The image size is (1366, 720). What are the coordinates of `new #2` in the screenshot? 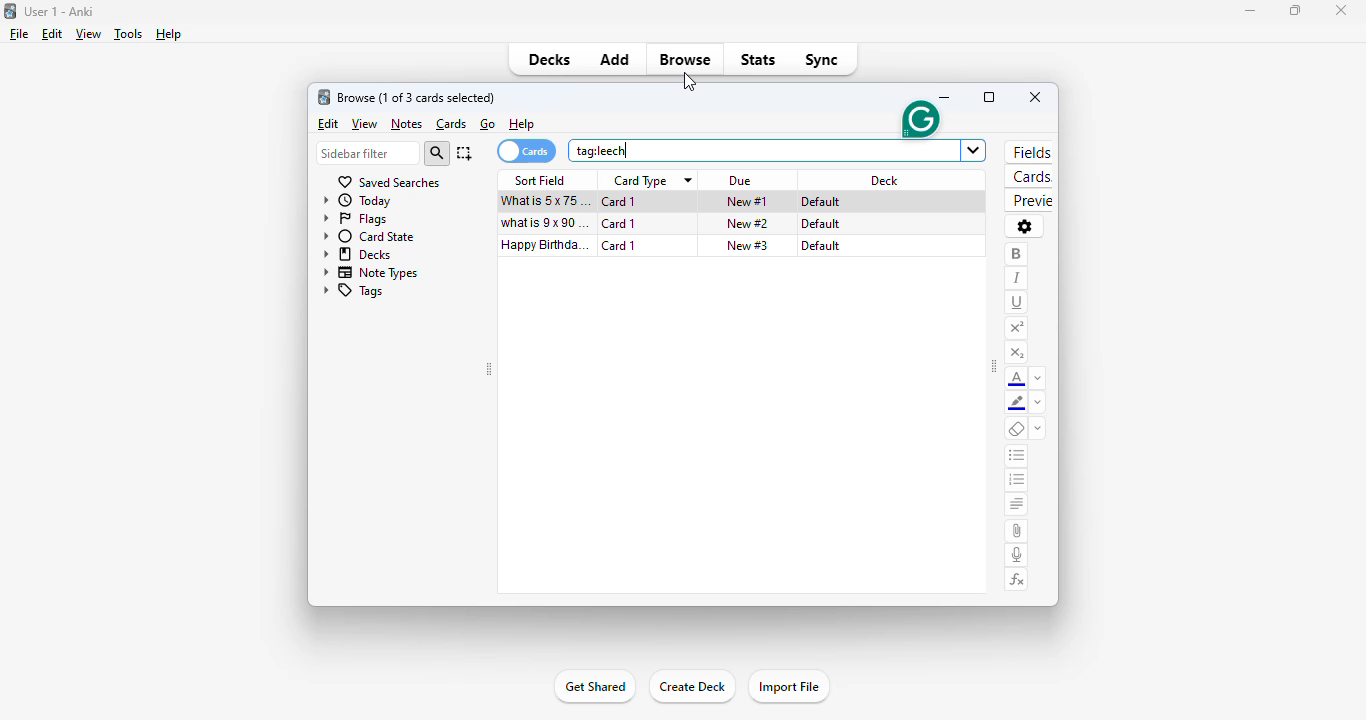 It's located at (748, 223).